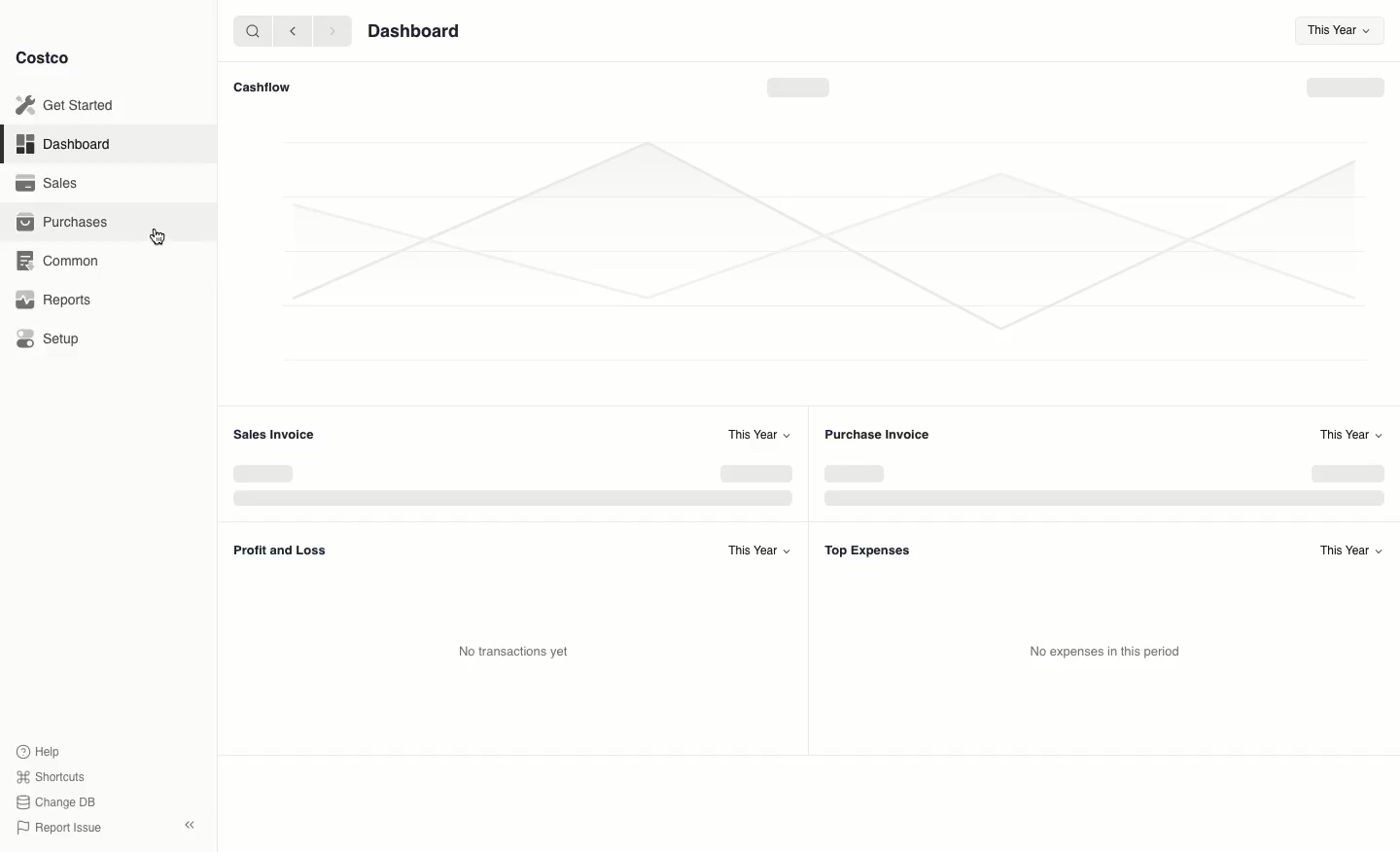  I want to click on Graph, so click(803, 486).